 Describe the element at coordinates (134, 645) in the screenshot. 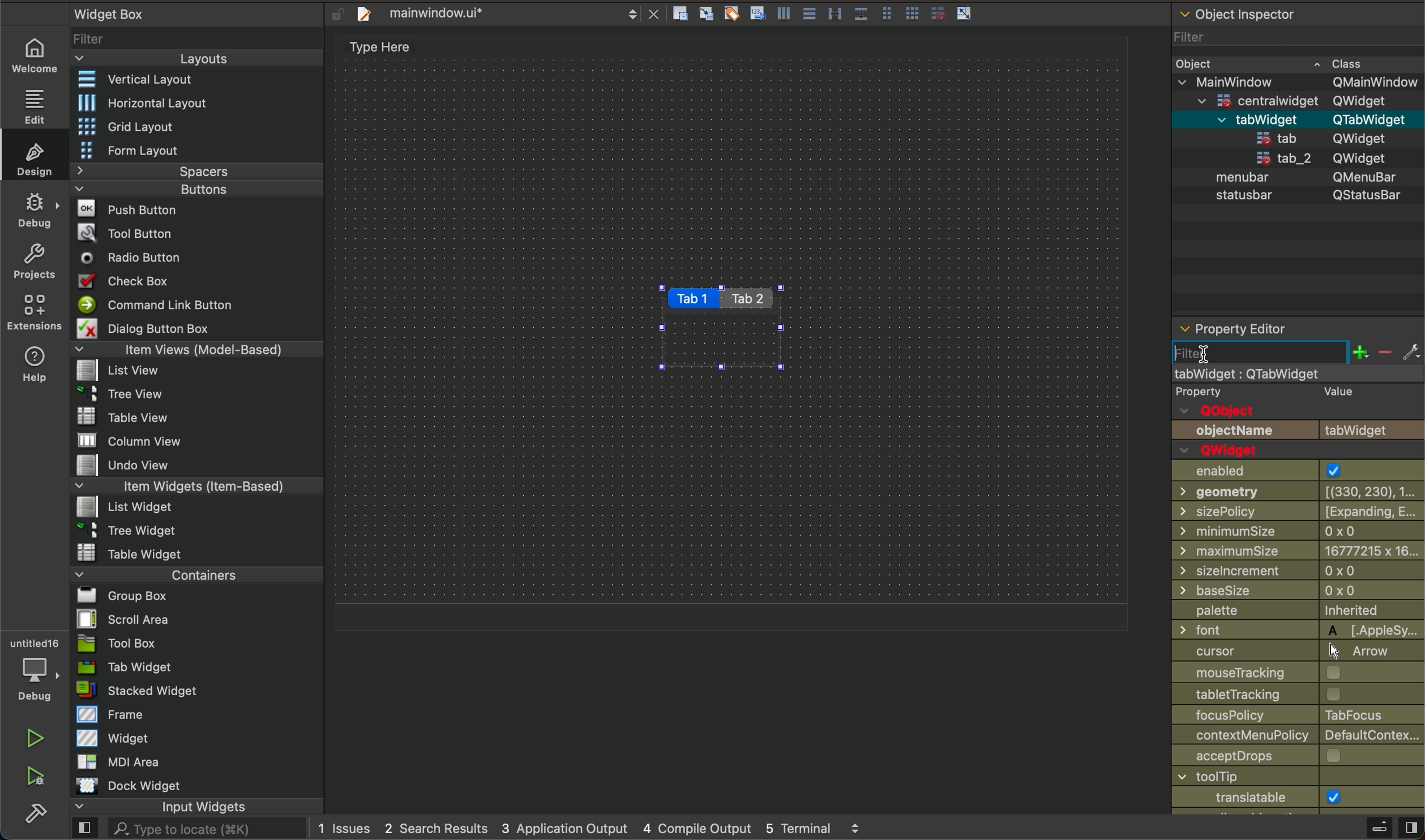

I see `Tool Box` at that location.